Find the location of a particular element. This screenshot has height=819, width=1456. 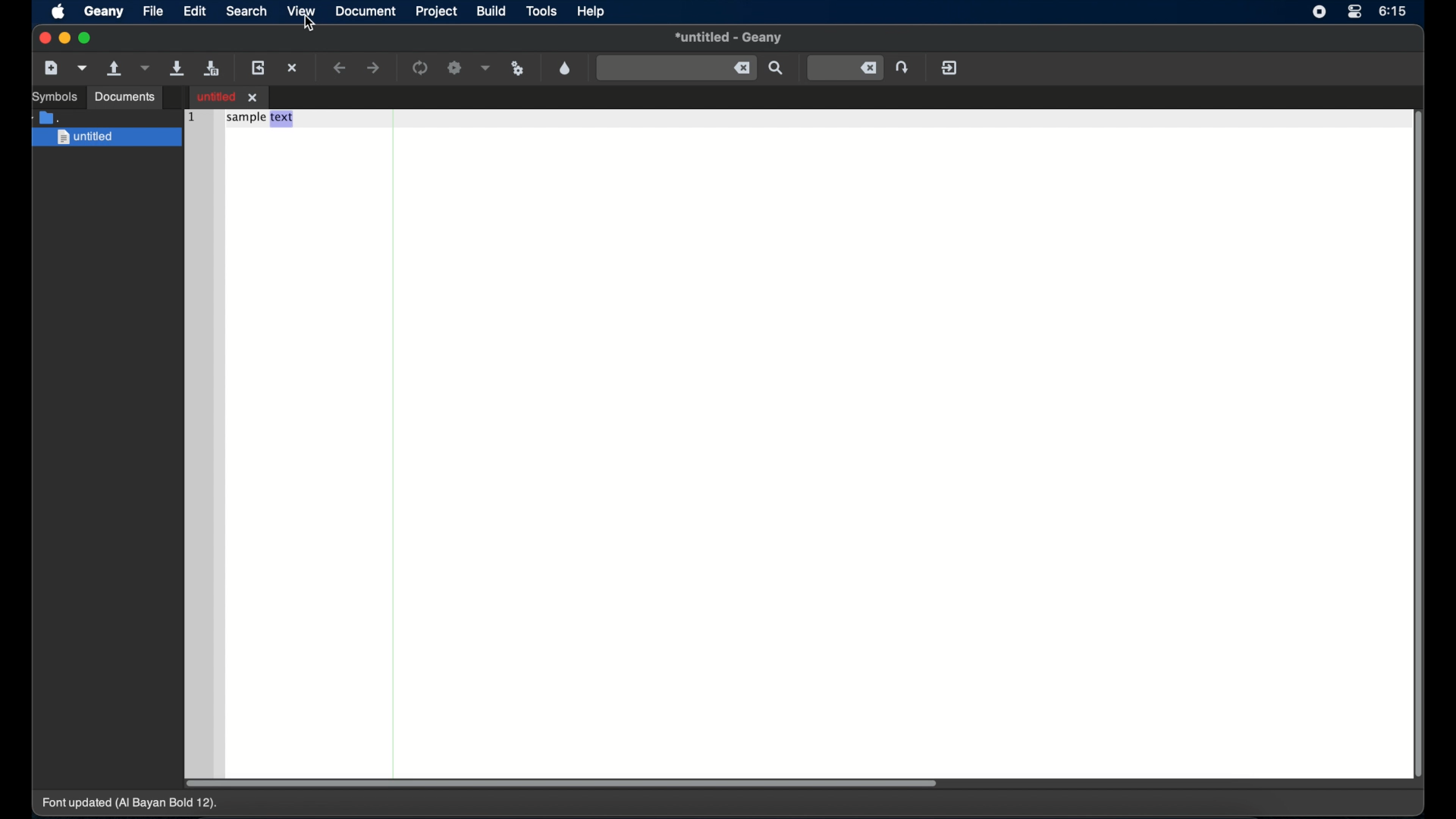

navigate forward a location is located at coordinates (375, 67).